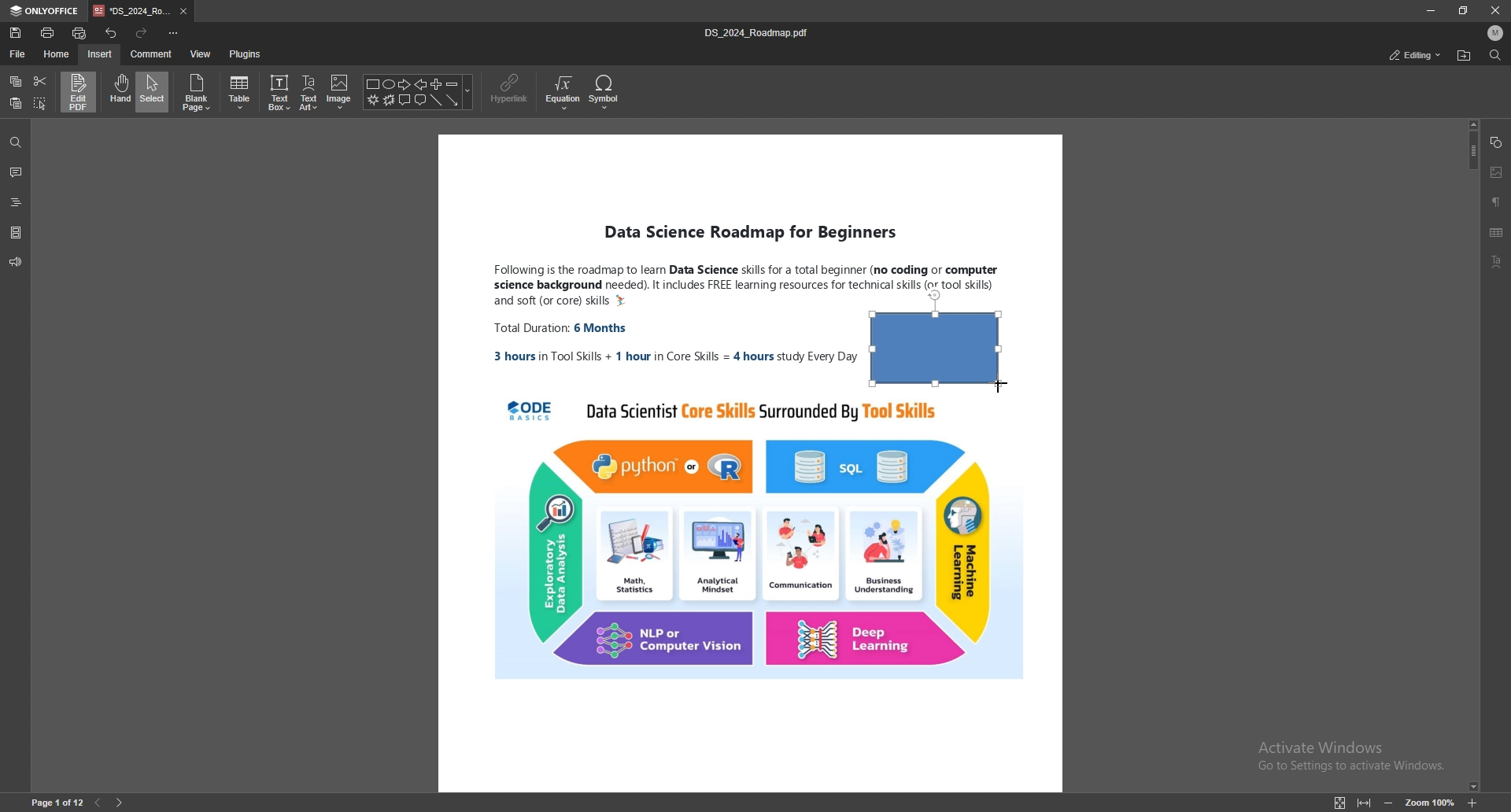  Describe the element at coordinates (1429, 10) in the screenshot. I see `minimize` at that location.